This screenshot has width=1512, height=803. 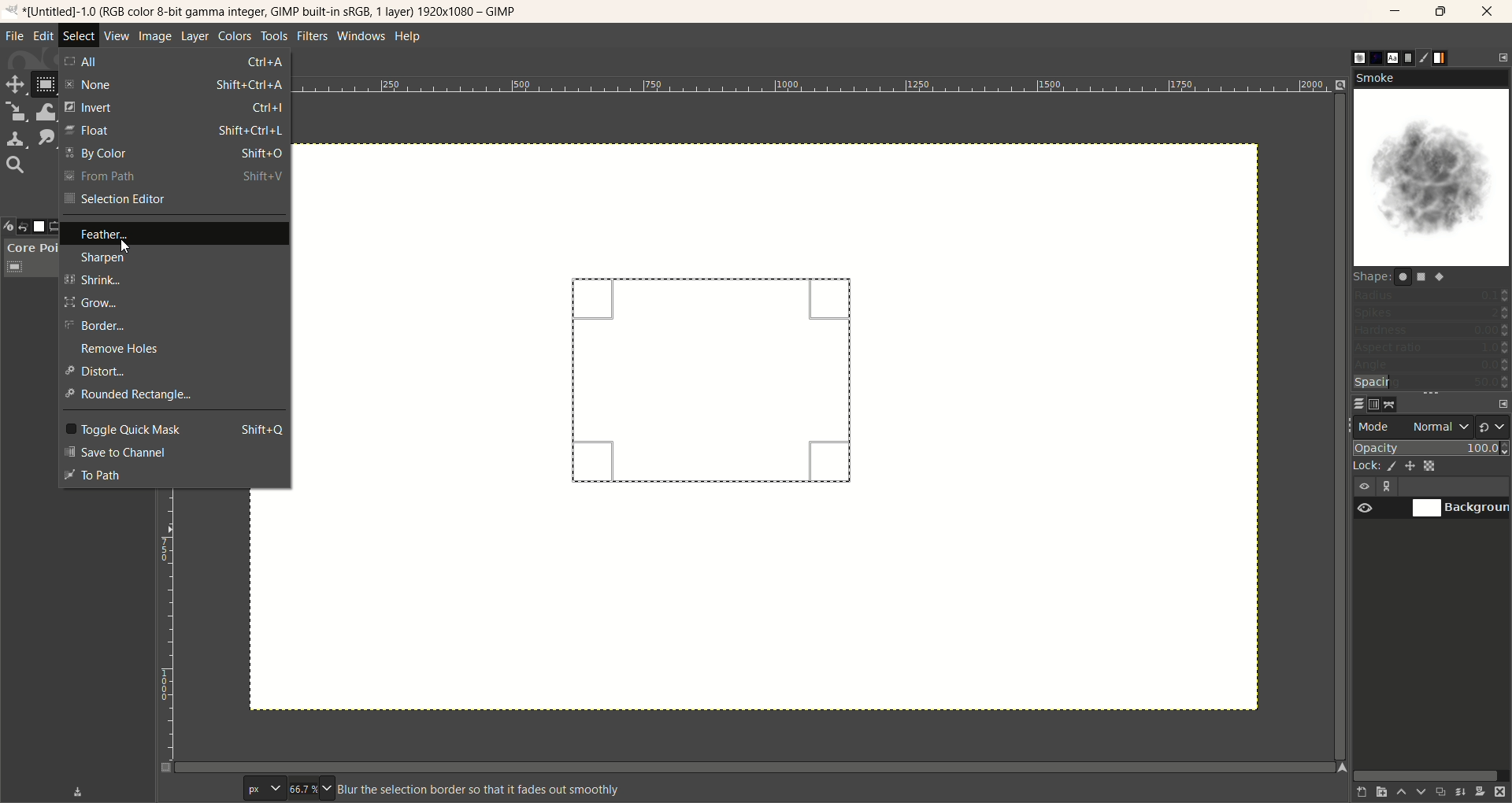 What do you see at coordinates (406, 37) in the screenshot?
I see `help` at bounding box center [406, 37].